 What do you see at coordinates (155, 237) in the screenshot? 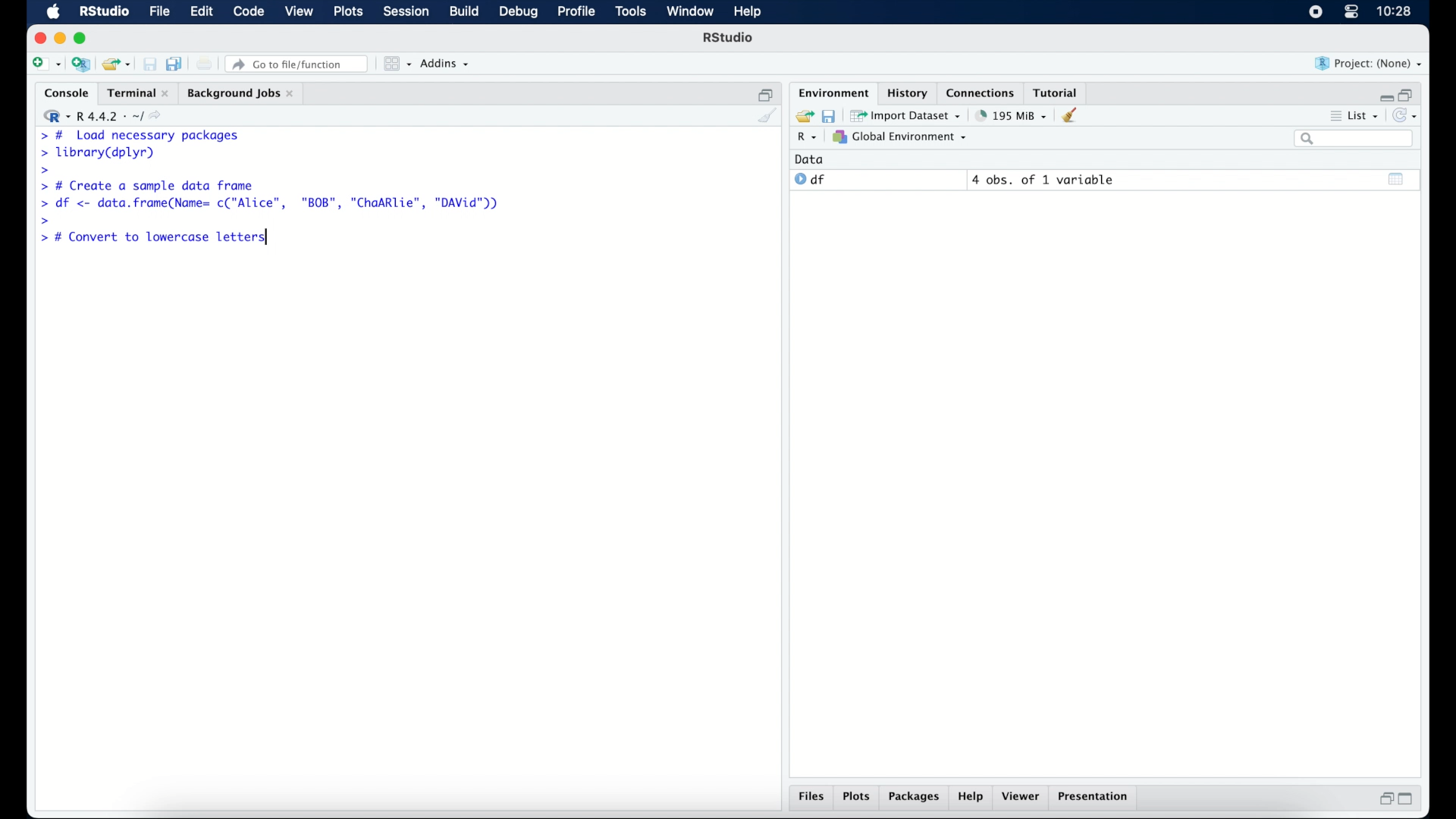
I see `> # Convert to lowercase letters|` at bounding box center [155, 237].